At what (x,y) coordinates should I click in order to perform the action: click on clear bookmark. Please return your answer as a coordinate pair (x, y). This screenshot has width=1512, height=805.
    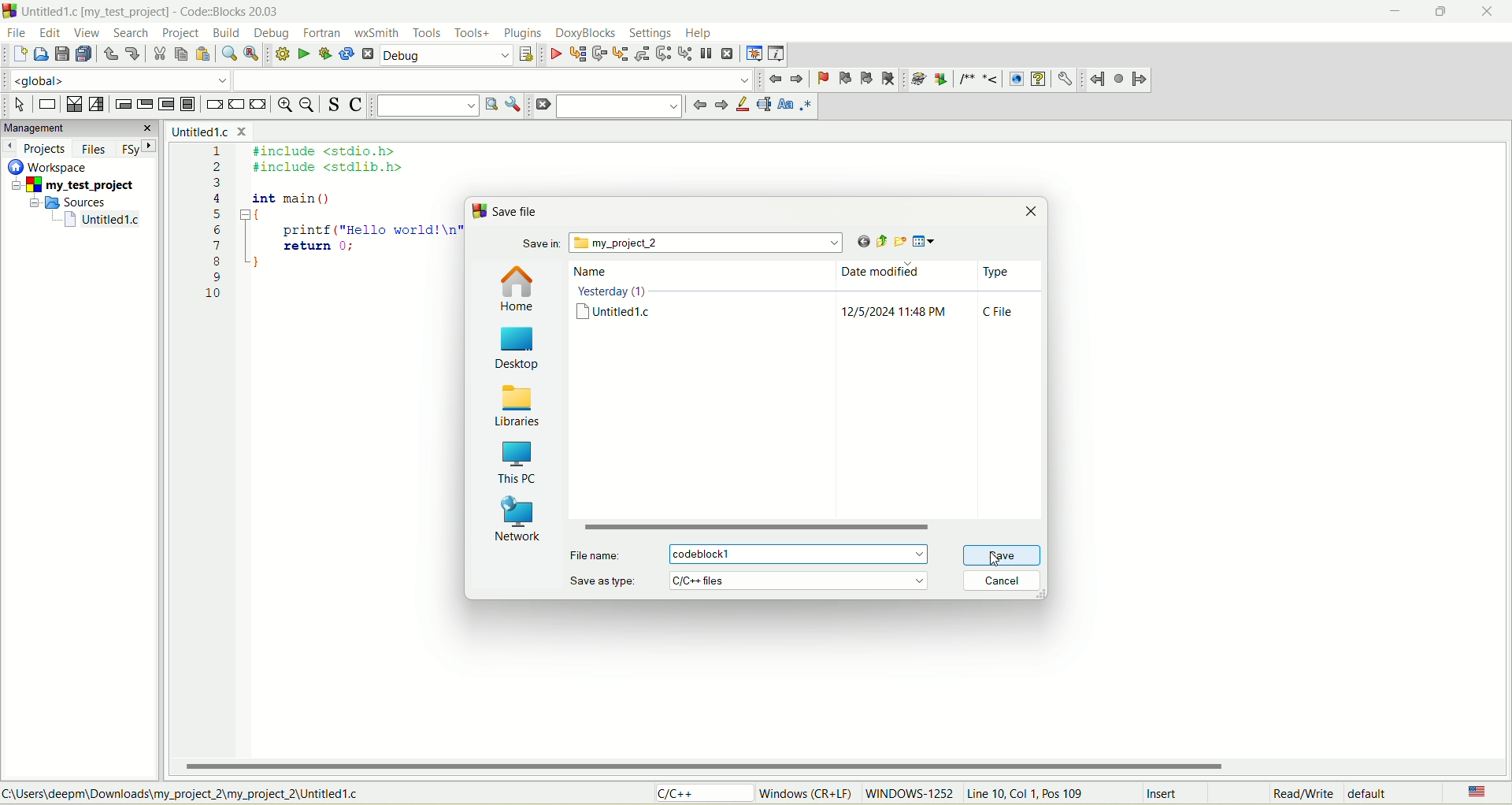
    Looking at the image, I should click on (890, 78).